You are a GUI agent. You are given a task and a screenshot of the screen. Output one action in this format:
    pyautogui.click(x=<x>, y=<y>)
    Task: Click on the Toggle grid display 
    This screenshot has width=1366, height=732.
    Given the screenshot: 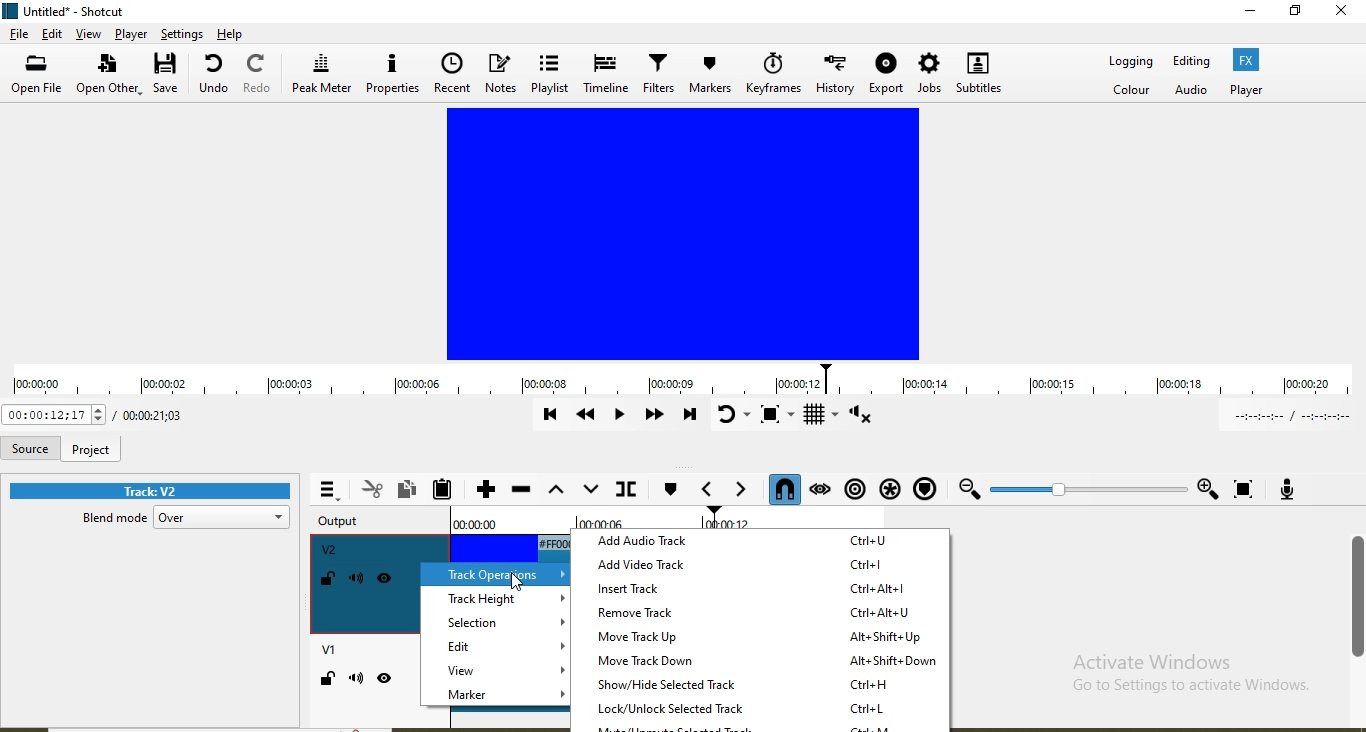 What is the action you would take?
    pyautogui.click(x=821, y=416)
    